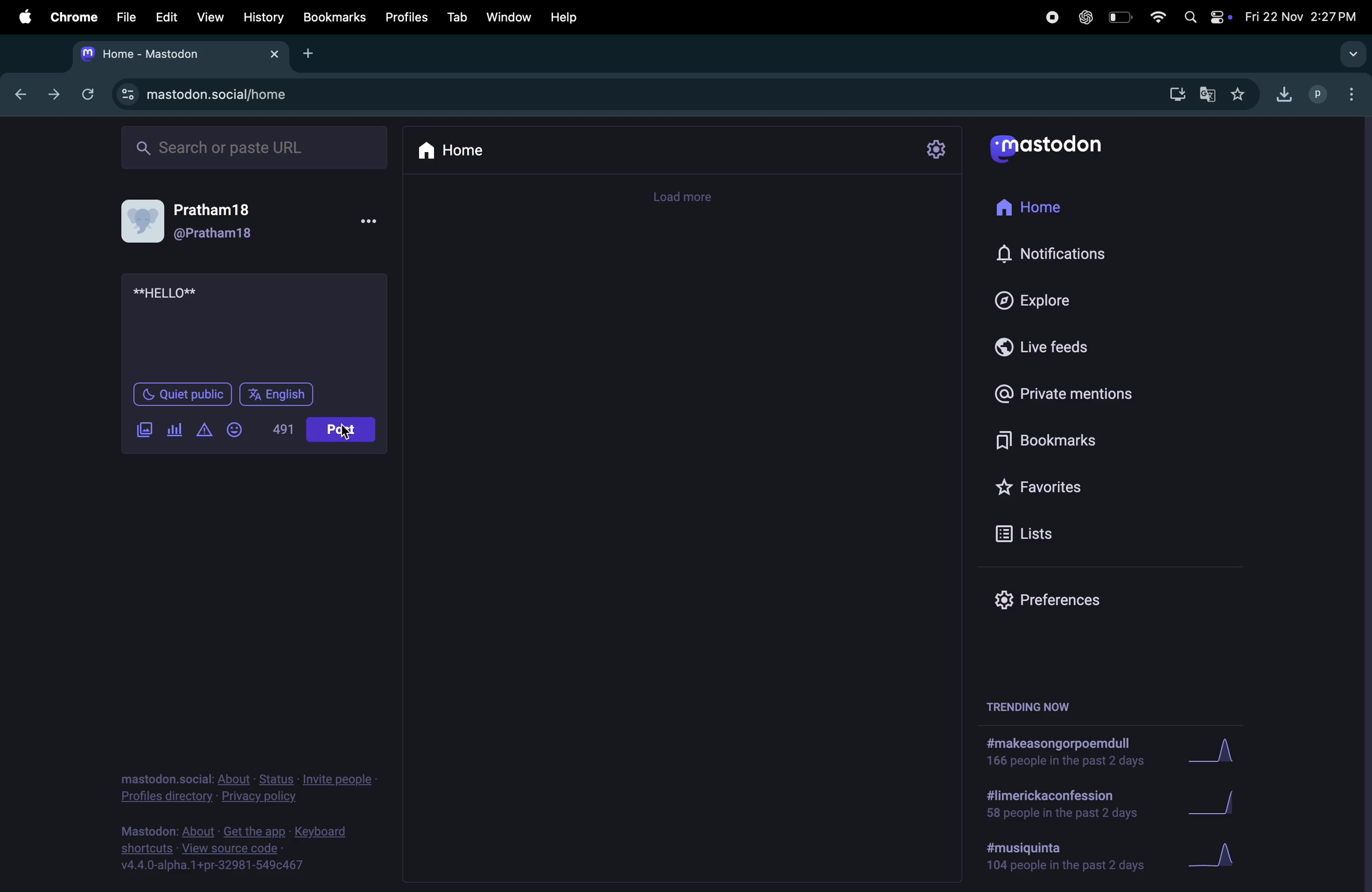 Image resolution: width=1372 pixels, height=892 pixels. What do you see at coordinates (1066, 751) in the screenshot?
I see `hashtags` at bounding box center [1066, 751].